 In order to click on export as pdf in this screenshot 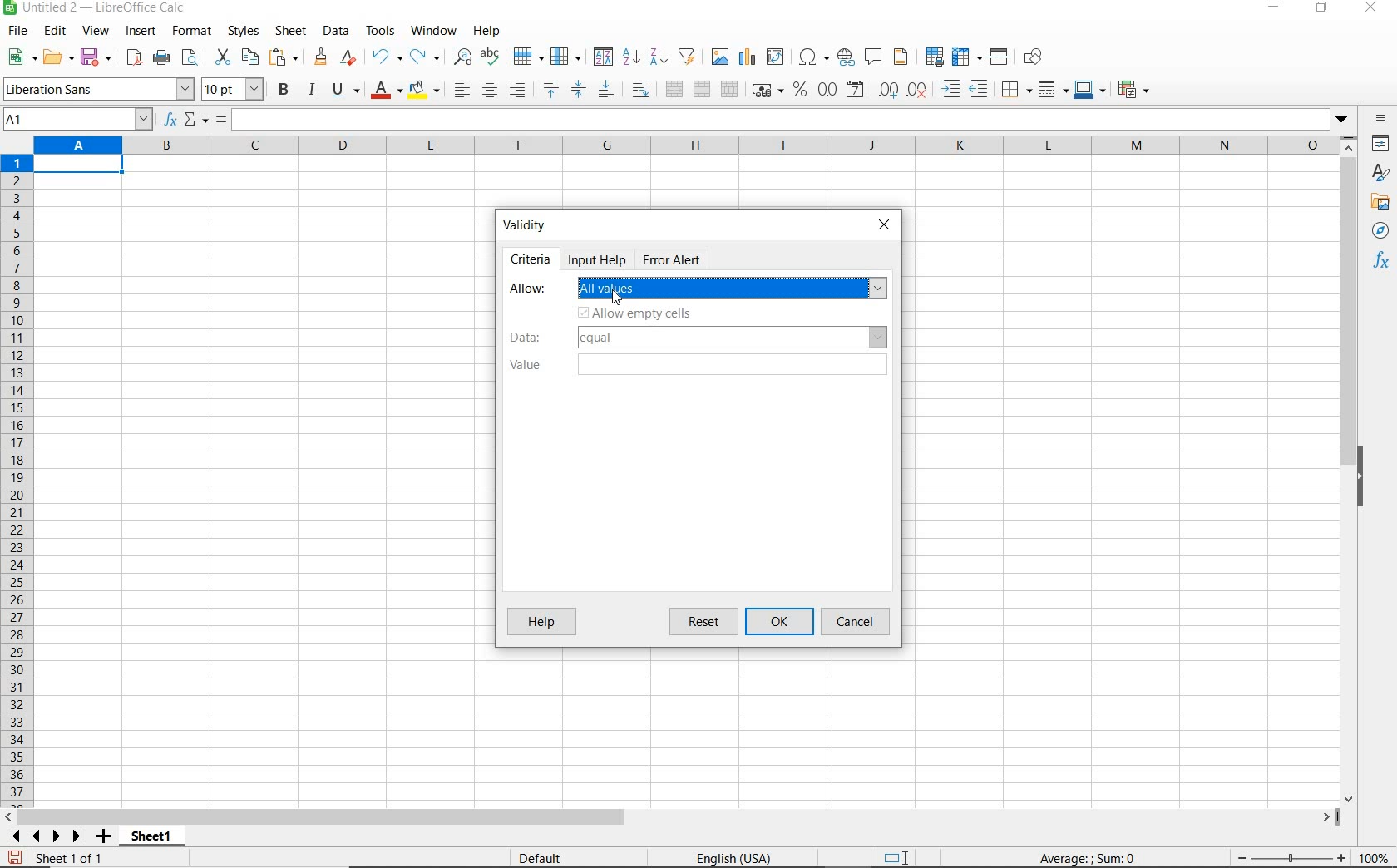, I will do `click(133, 57)`.